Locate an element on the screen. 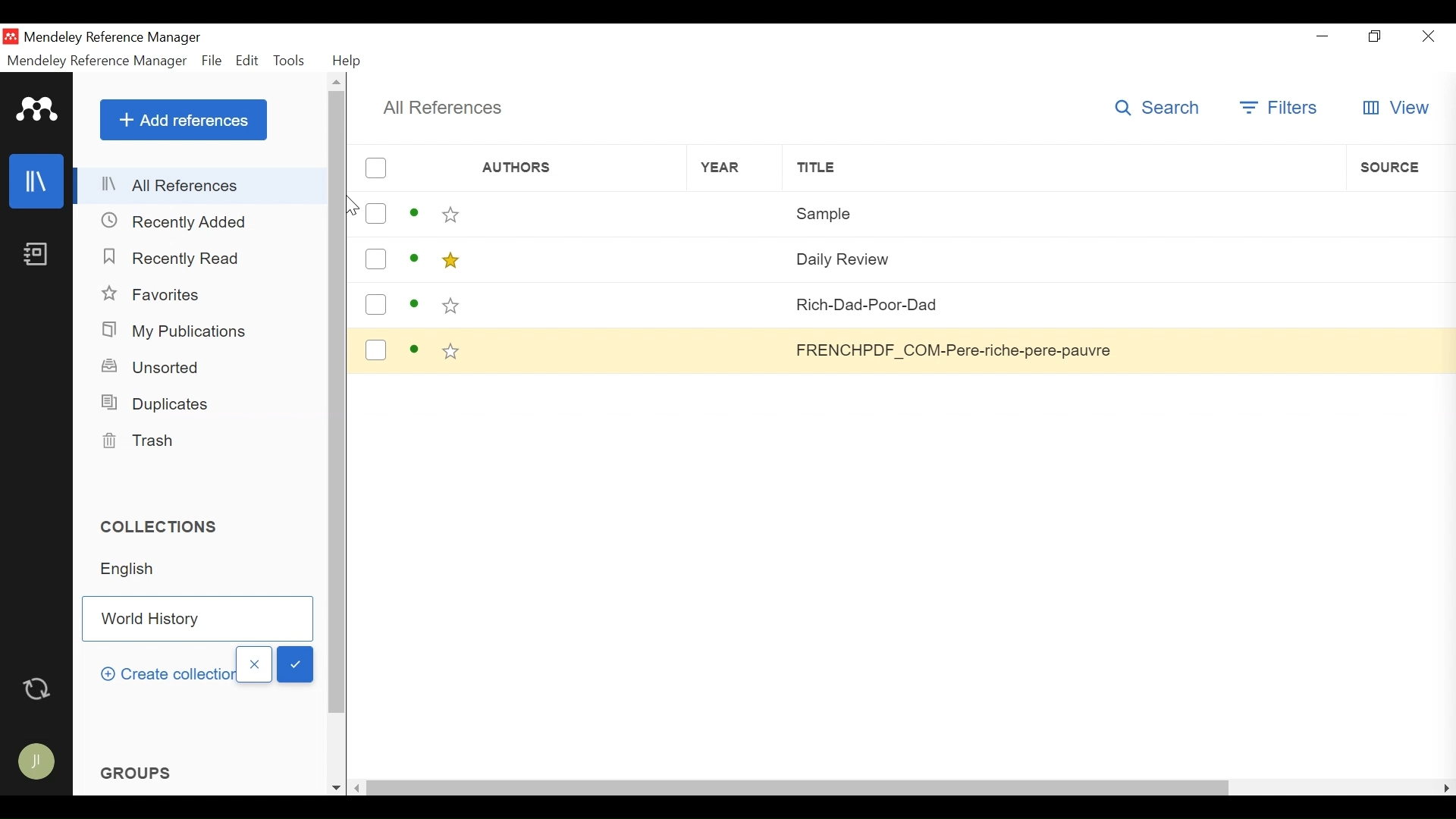 This screenshot has height=819, width=1456. Edit is located at coordinates (248, 61).